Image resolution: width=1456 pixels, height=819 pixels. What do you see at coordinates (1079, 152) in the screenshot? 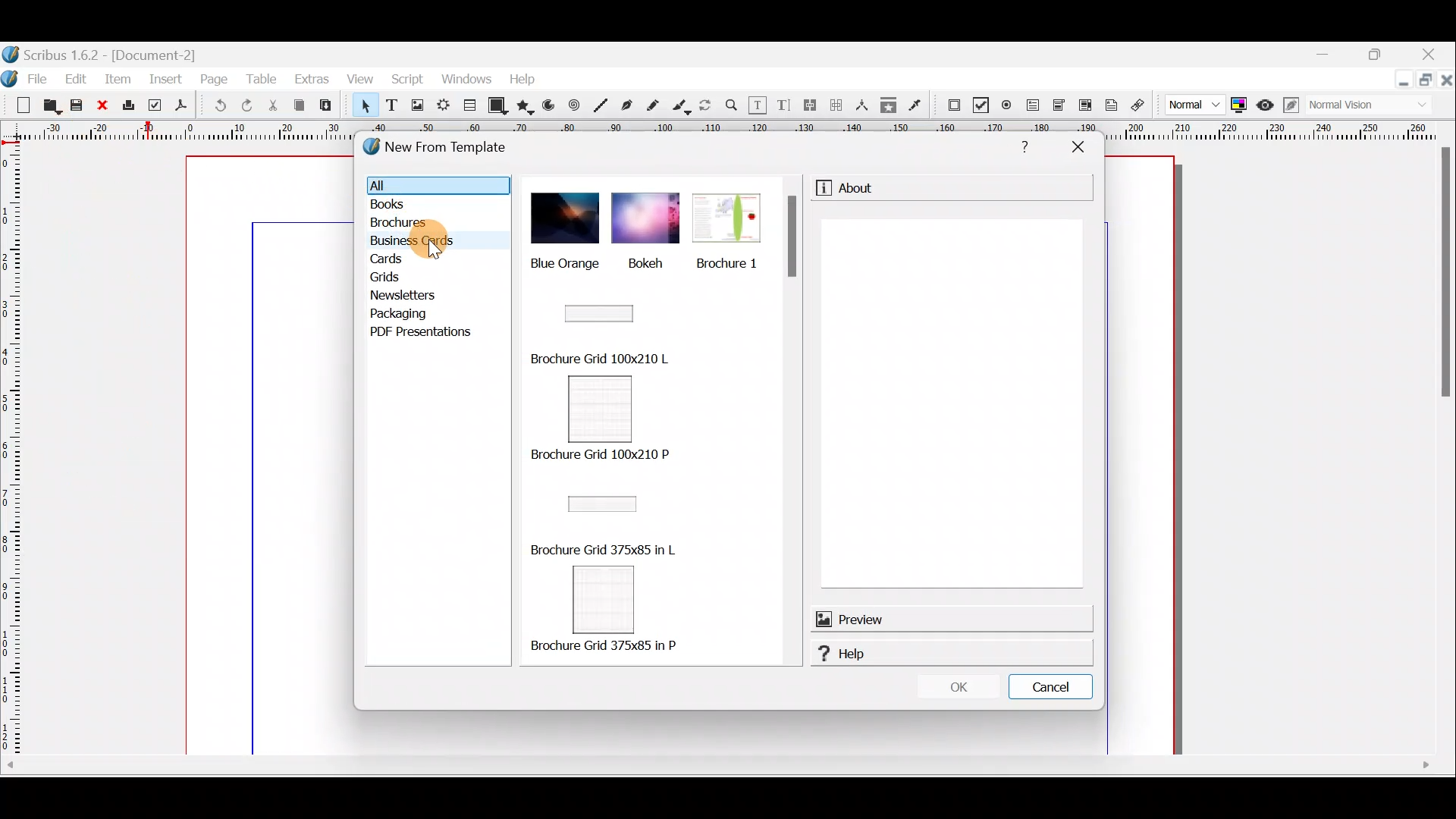
I see `Close` at bounding box center [1079, 152].